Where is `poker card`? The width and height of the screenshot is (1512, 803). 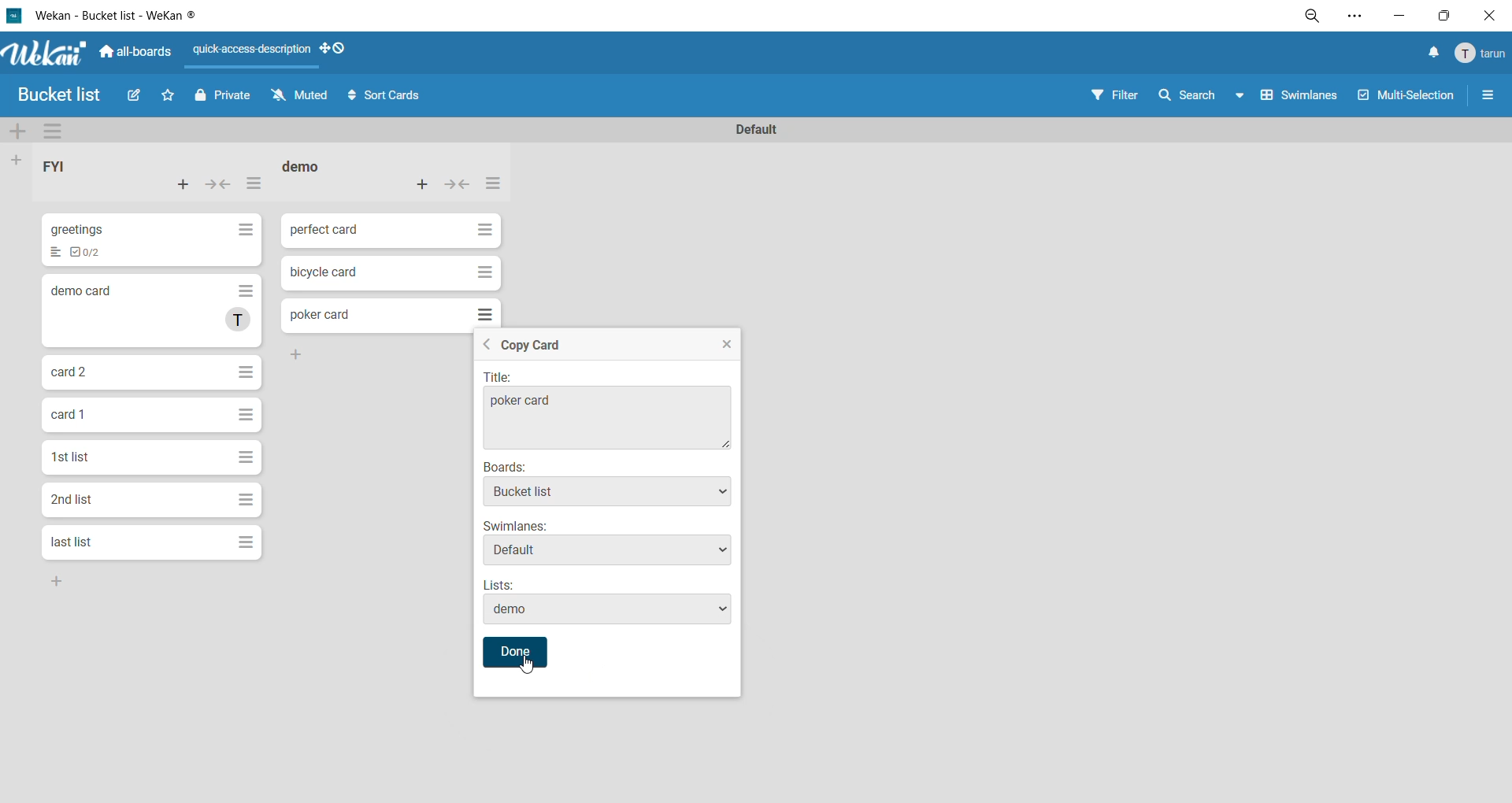 poker card is located at coordinates (610, 417).